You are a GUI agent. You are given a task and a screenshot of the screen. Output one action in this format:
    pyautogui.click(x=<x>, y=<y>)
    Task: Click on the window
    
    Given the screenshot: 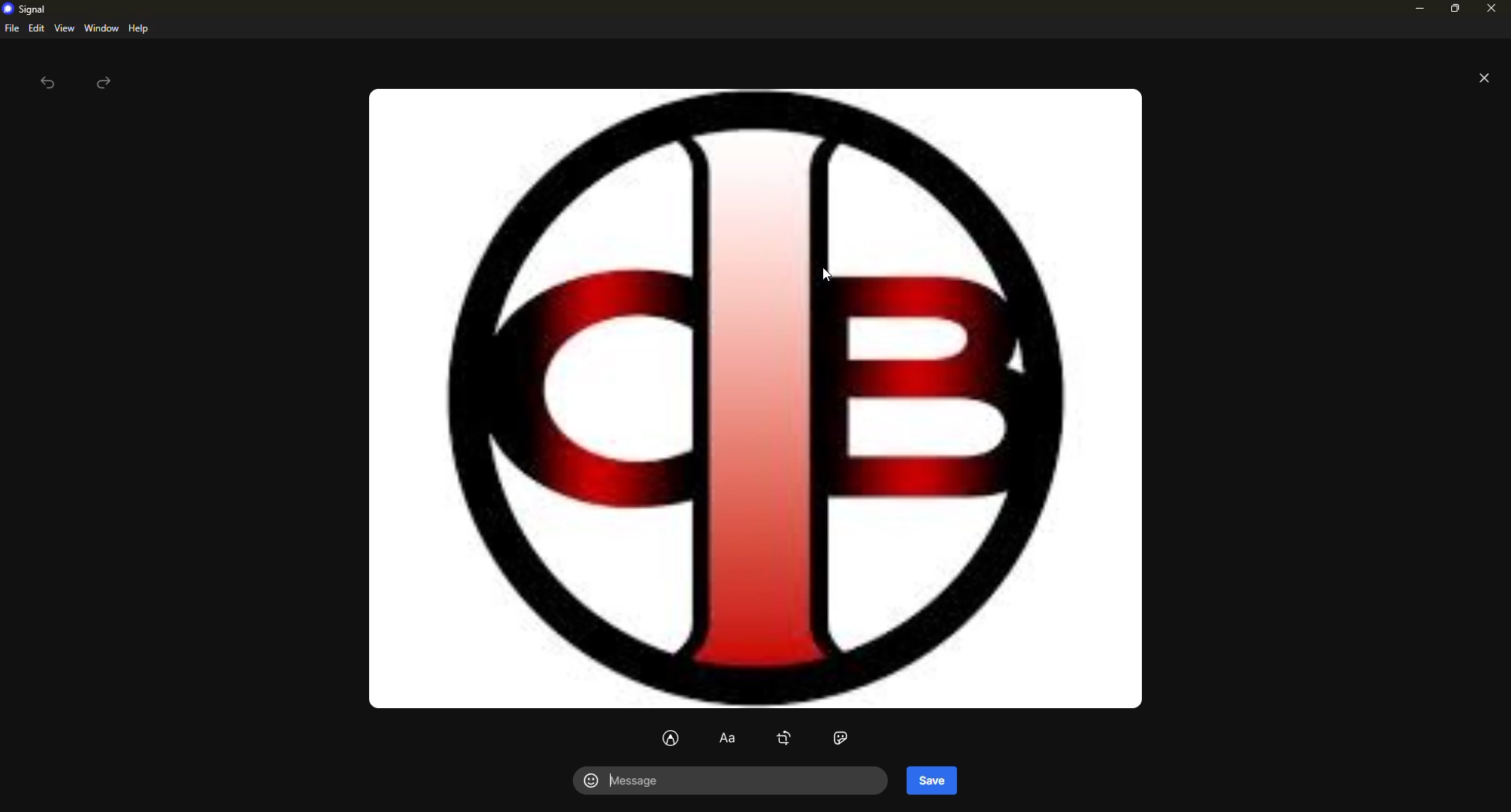 What is the action you would take?
    pyautogui.click(x=102, y=28)
    